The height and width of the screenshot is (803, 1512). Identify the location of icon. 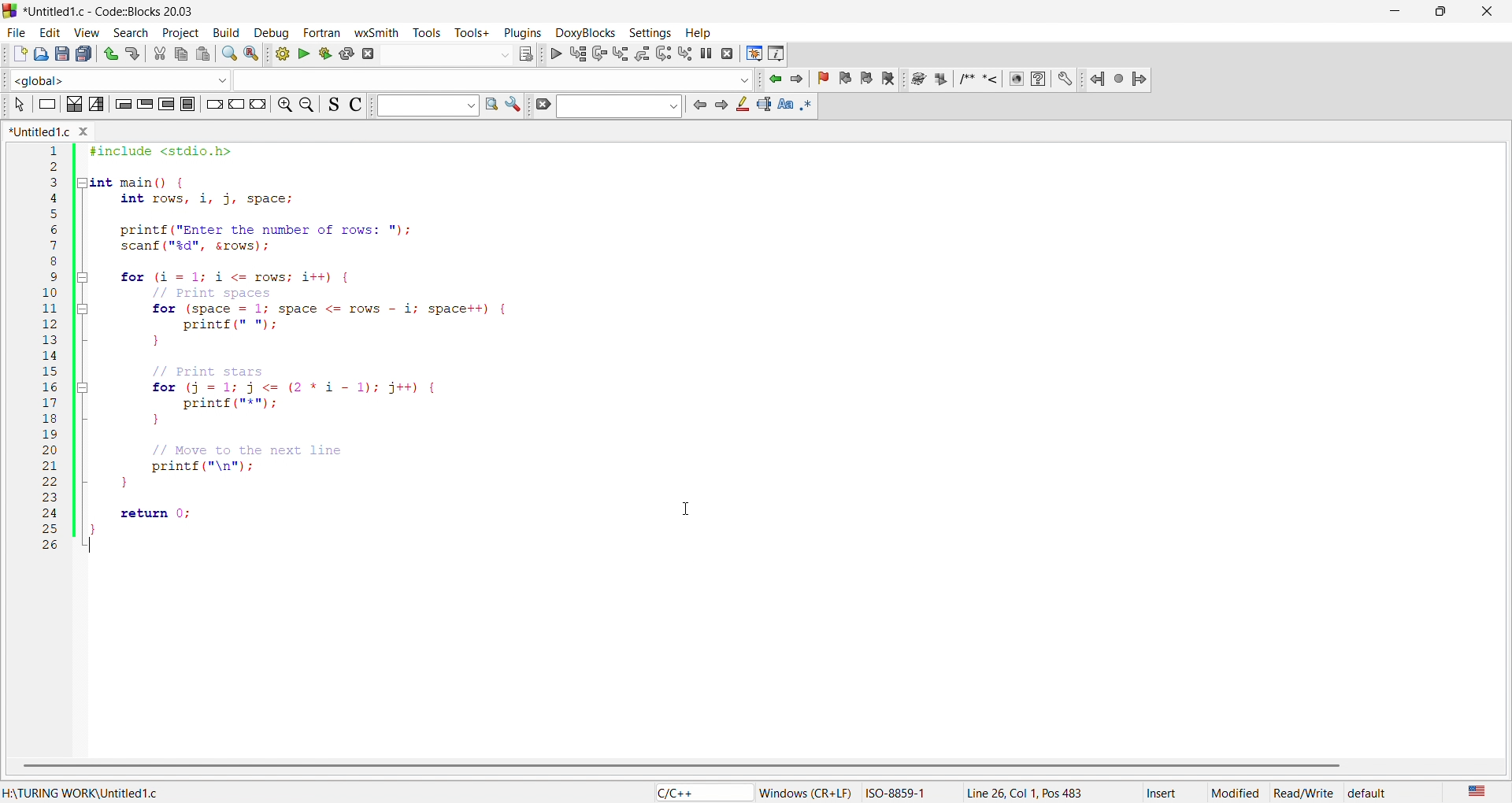
(140, 105).